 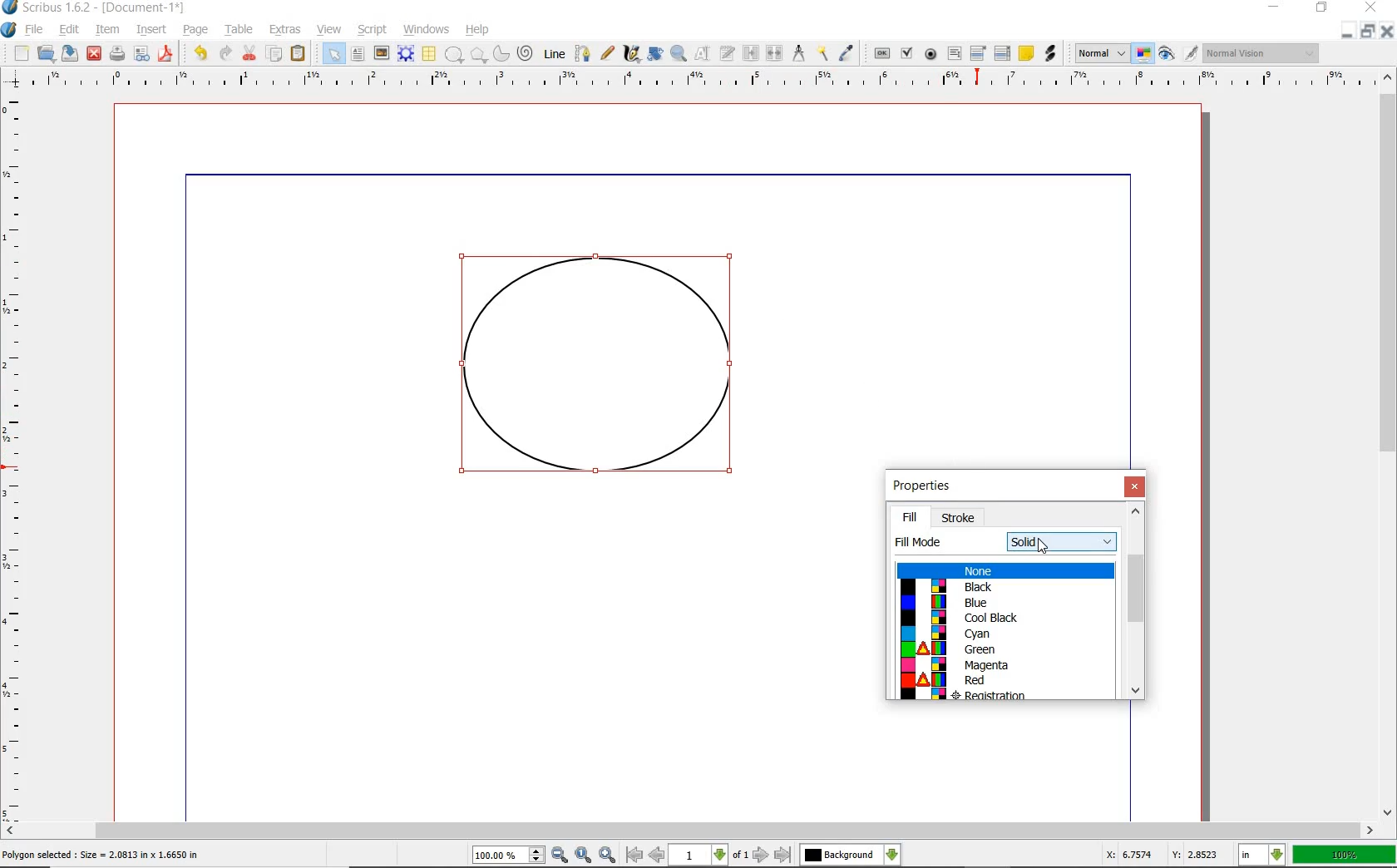 What do you see at coordinates (1004, 634) in the screenshot?
I see `color` at bounding box center [1004, 634].